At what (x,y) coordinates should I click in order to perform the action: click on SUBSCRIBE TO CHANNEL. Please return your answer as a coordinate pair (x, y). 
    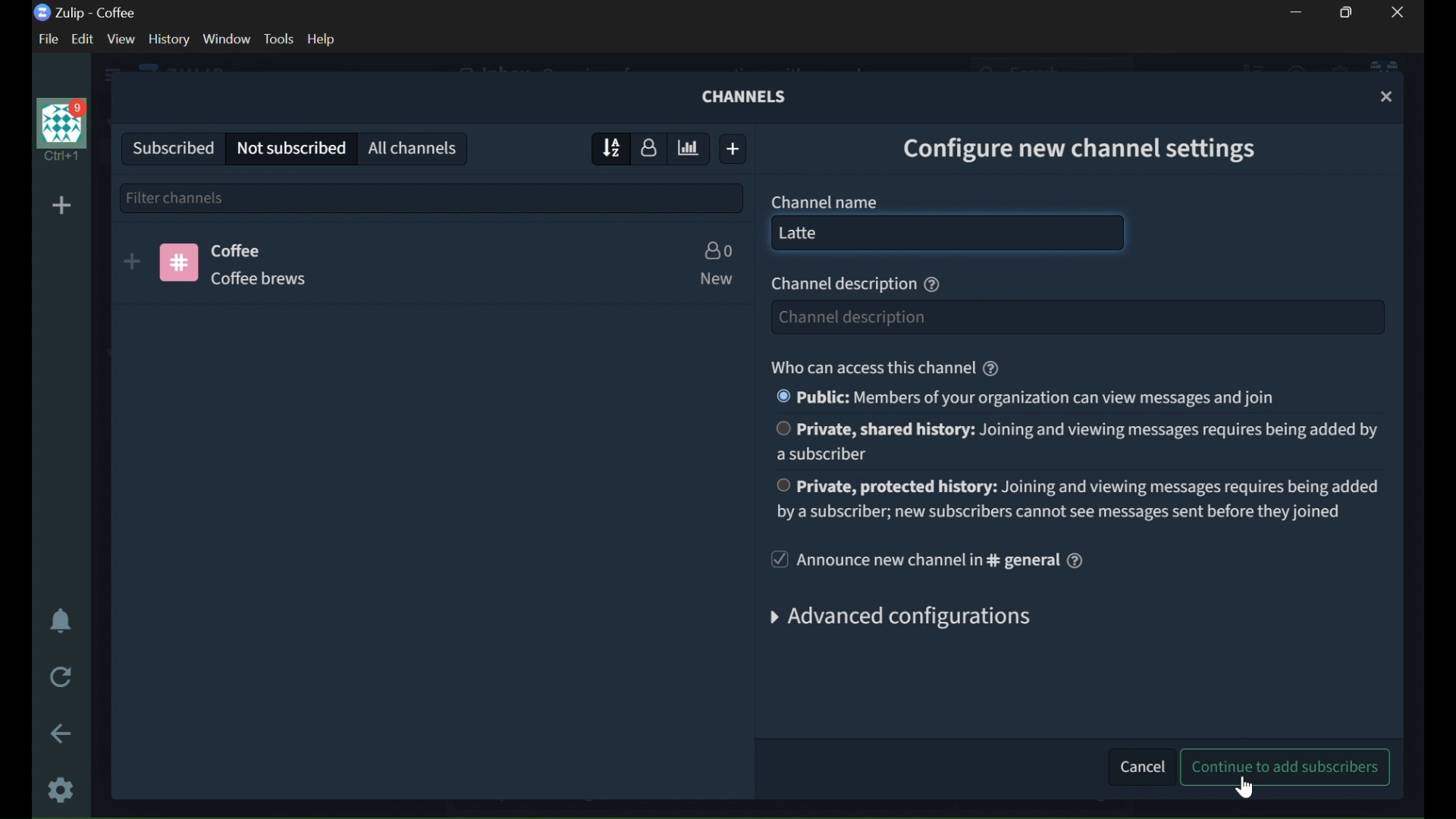
    Looking at the image, I should click on (132, 262).